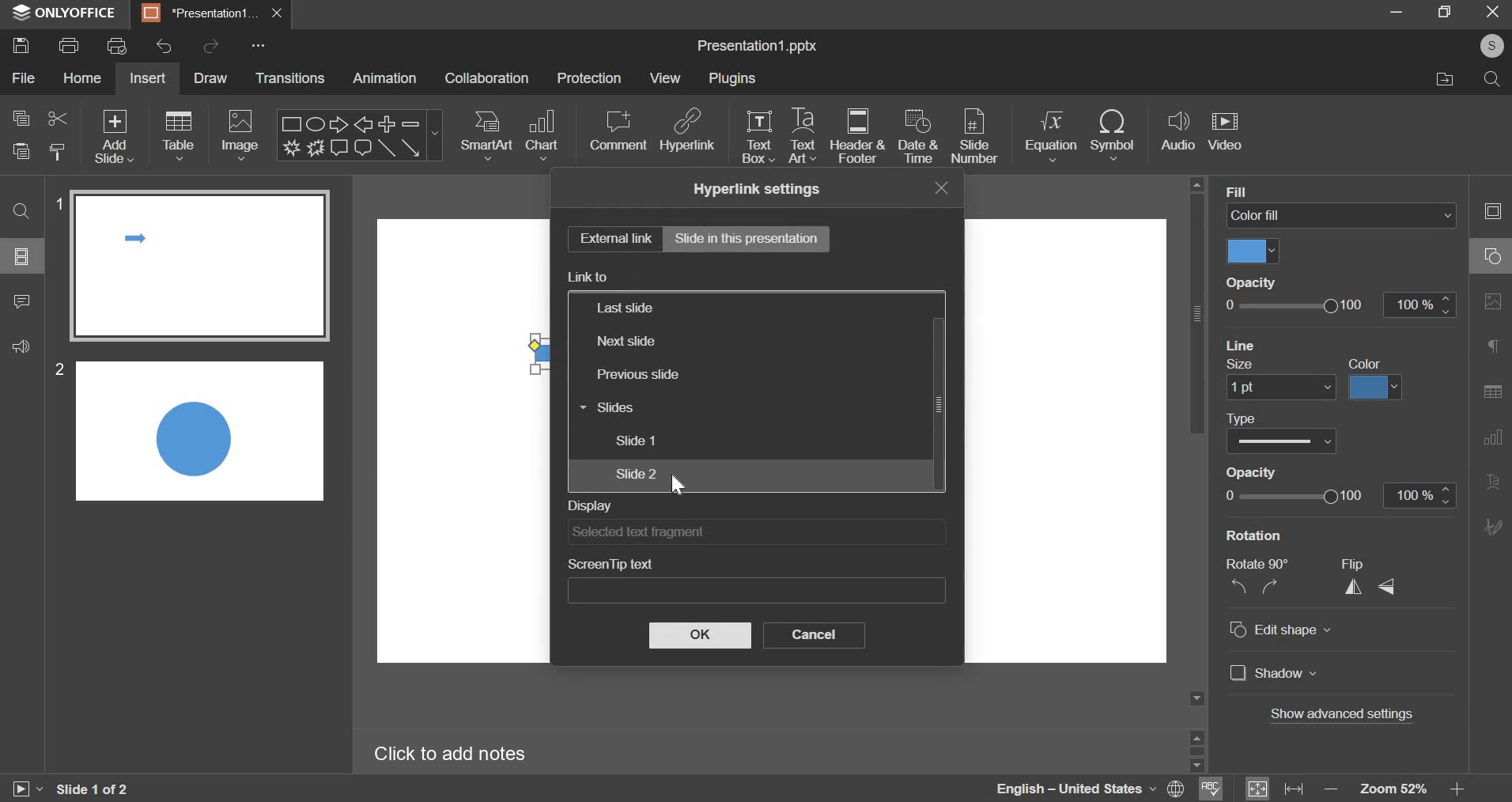 This screenshot has width=1512, height=802. I want to click on table, so click(178, 136).